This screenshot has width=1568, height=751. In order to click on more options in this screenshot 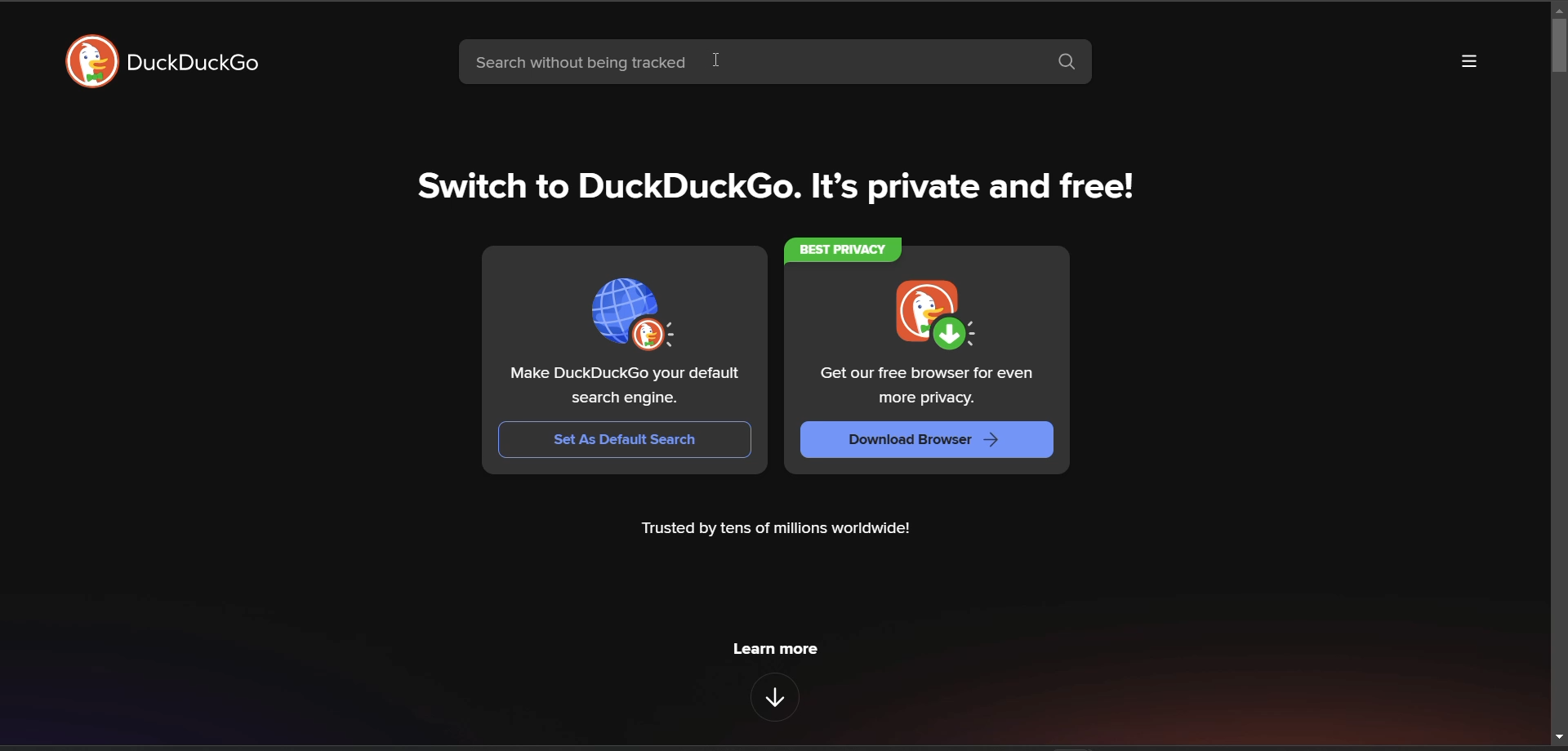, I will do `click(1469, 61)`.